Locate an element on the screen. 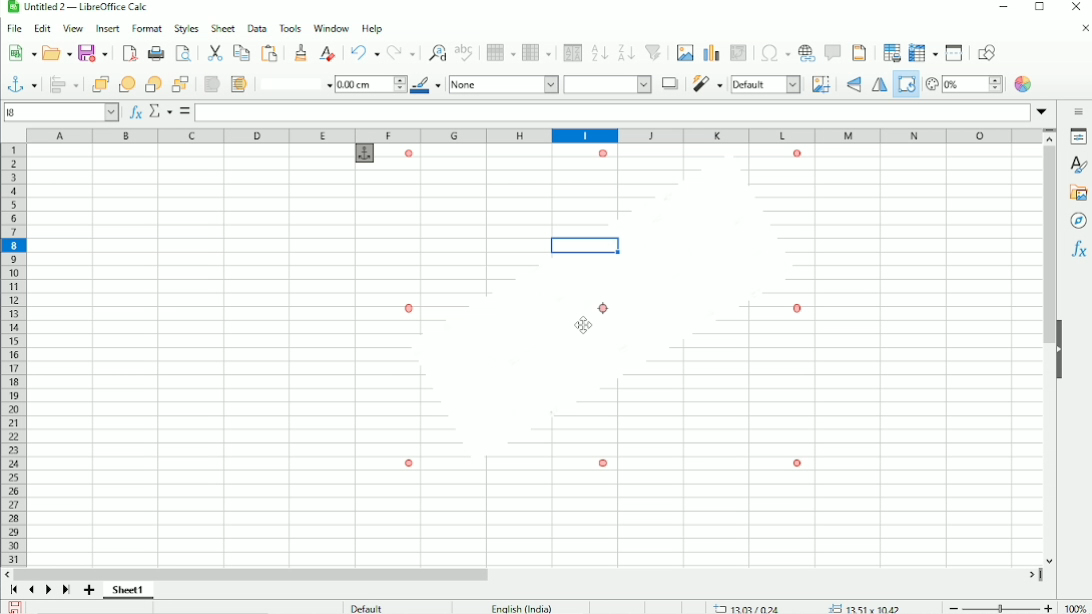 This screenshot has height=614, width=1092. Back one is located at coordinates (152, 84).